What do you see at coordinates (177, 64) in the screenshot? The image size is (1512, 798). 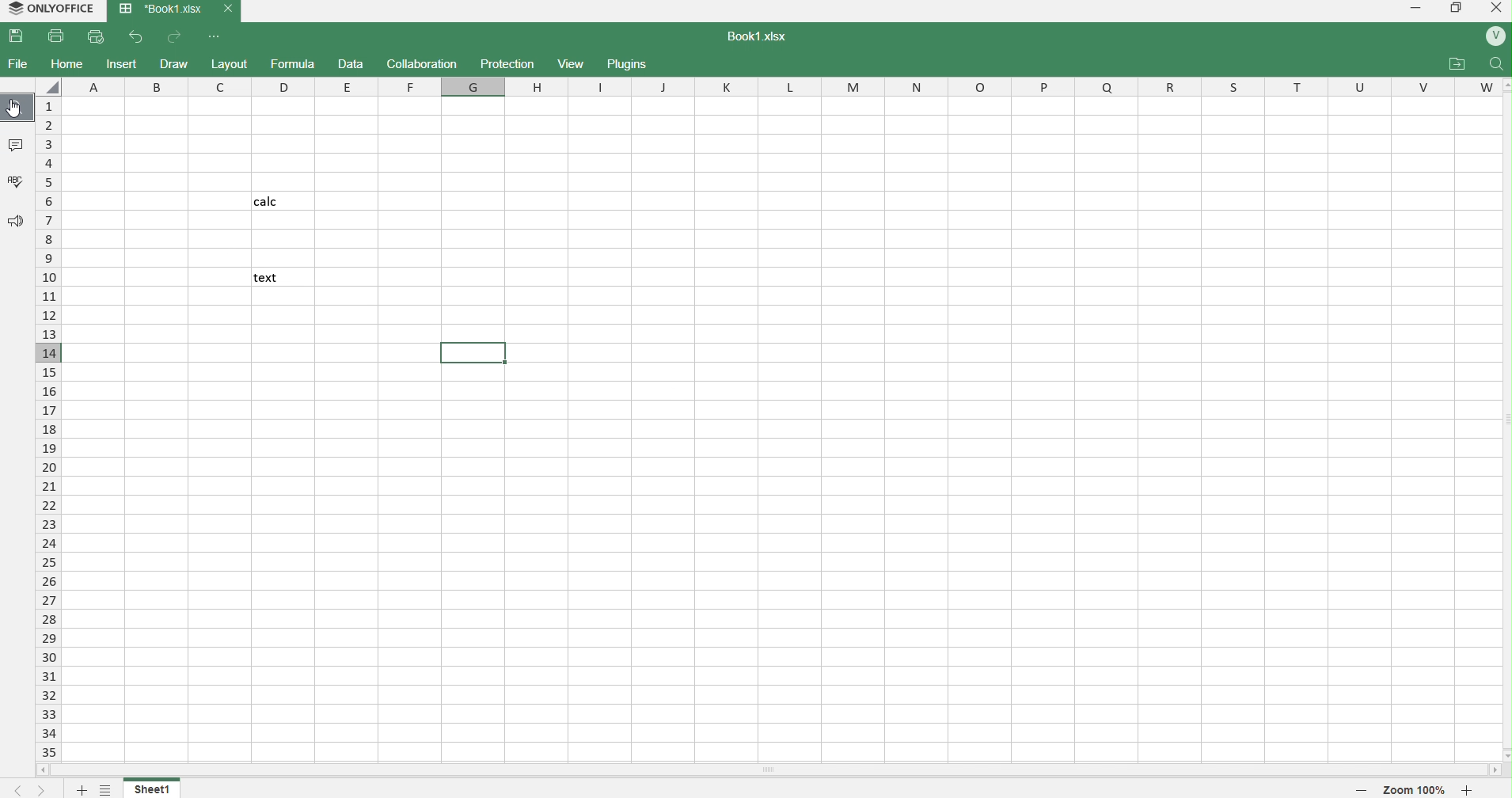 I see `draw` at bounding box center [177, 64].